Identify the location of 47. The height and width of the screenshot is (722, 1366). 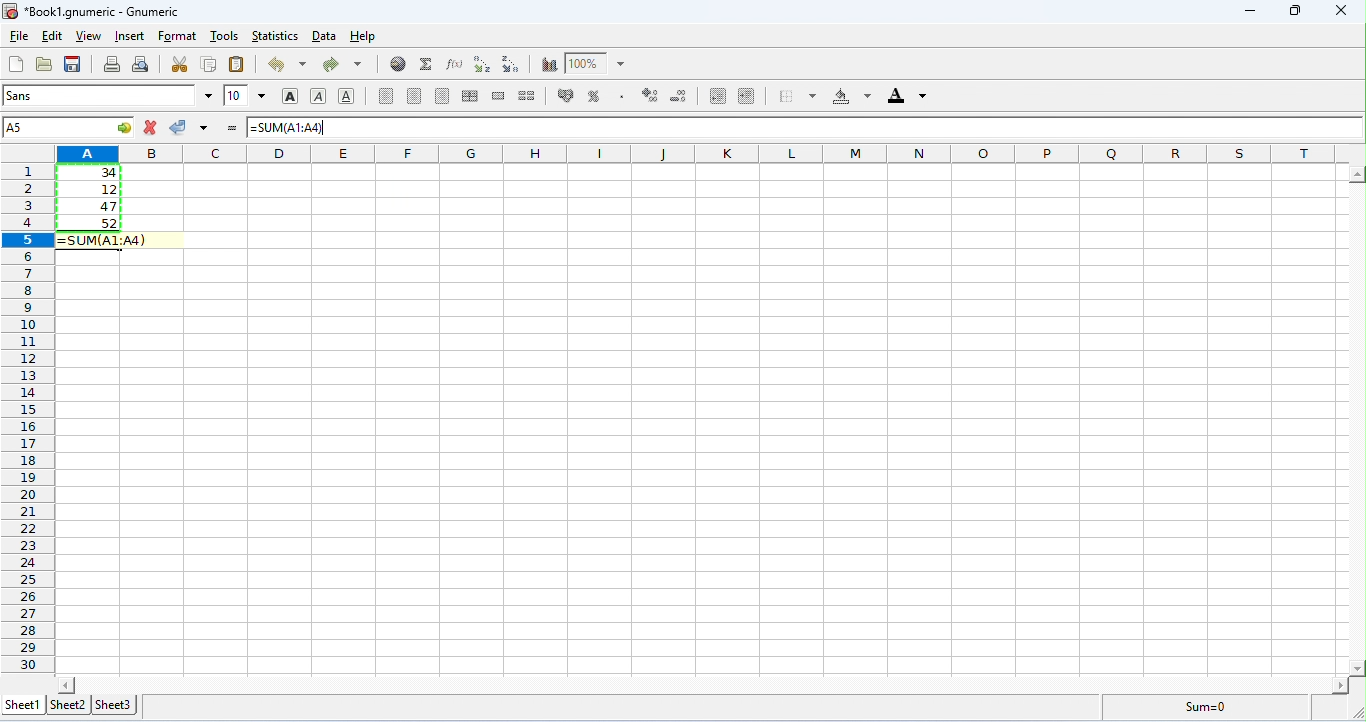
(93, 207).